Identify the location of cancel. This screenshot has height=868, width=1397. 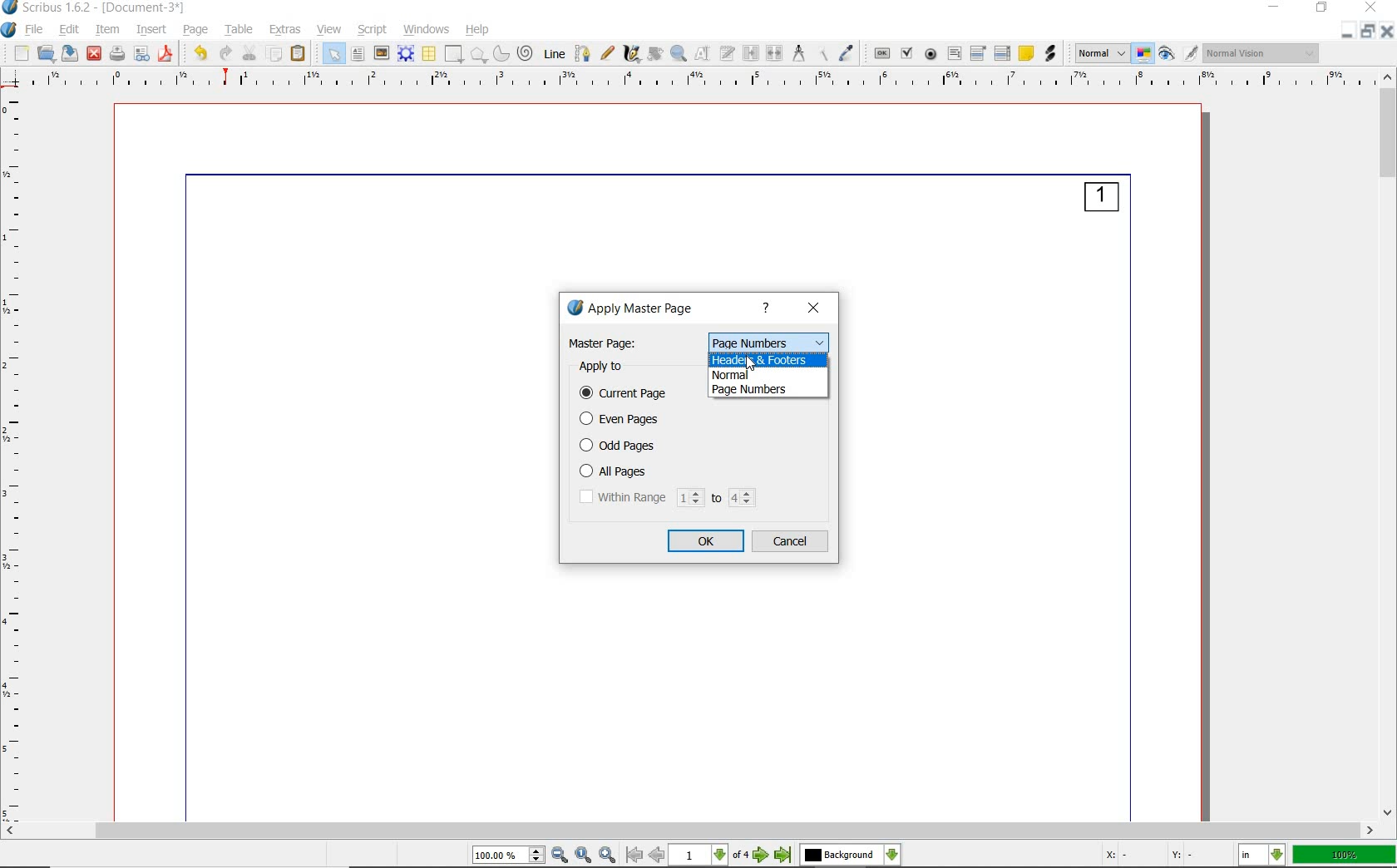
(792, 542).